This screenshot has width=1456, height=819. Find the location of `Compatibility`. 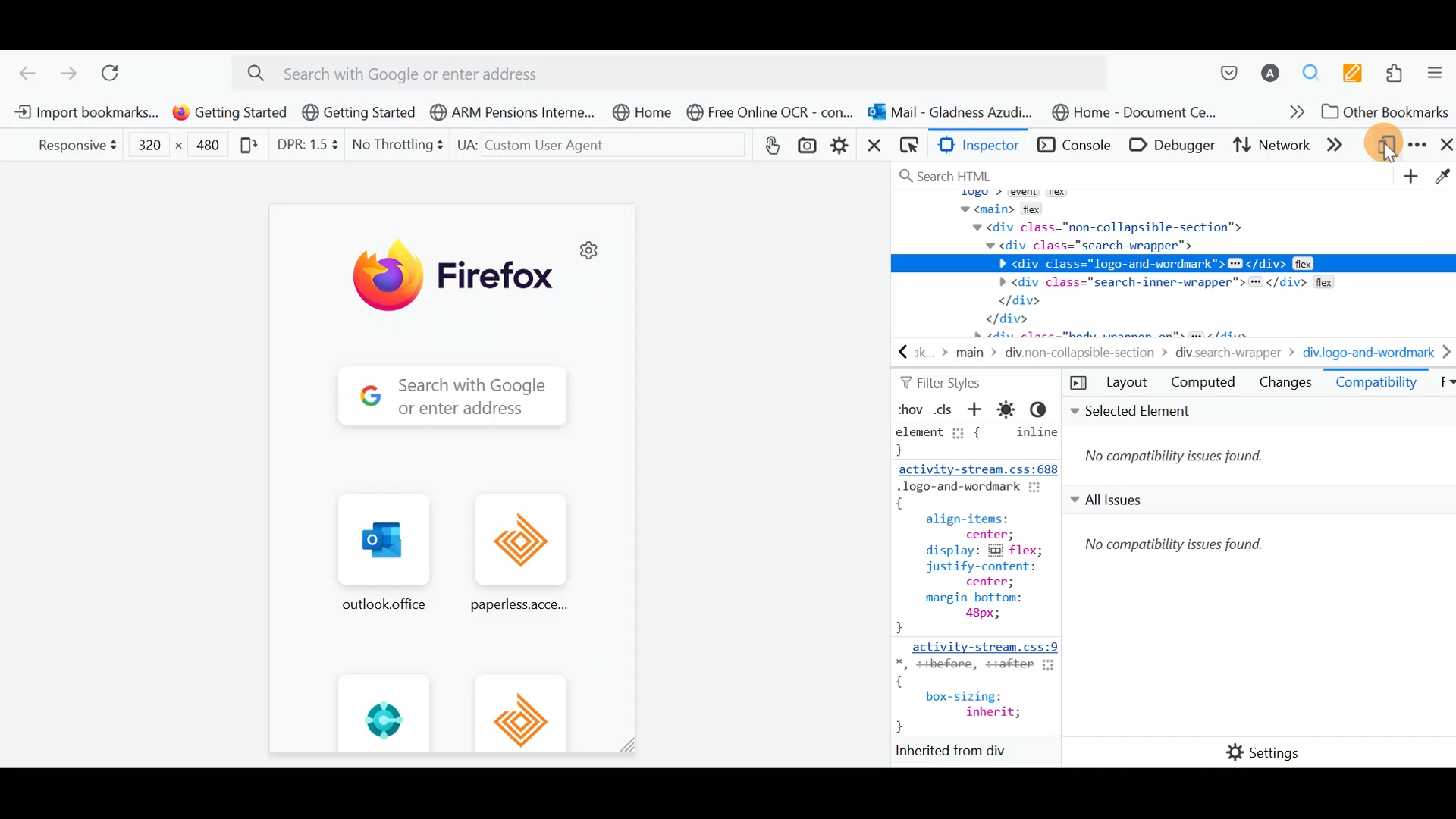

Compatibility is located at coordinates (1376, 385).